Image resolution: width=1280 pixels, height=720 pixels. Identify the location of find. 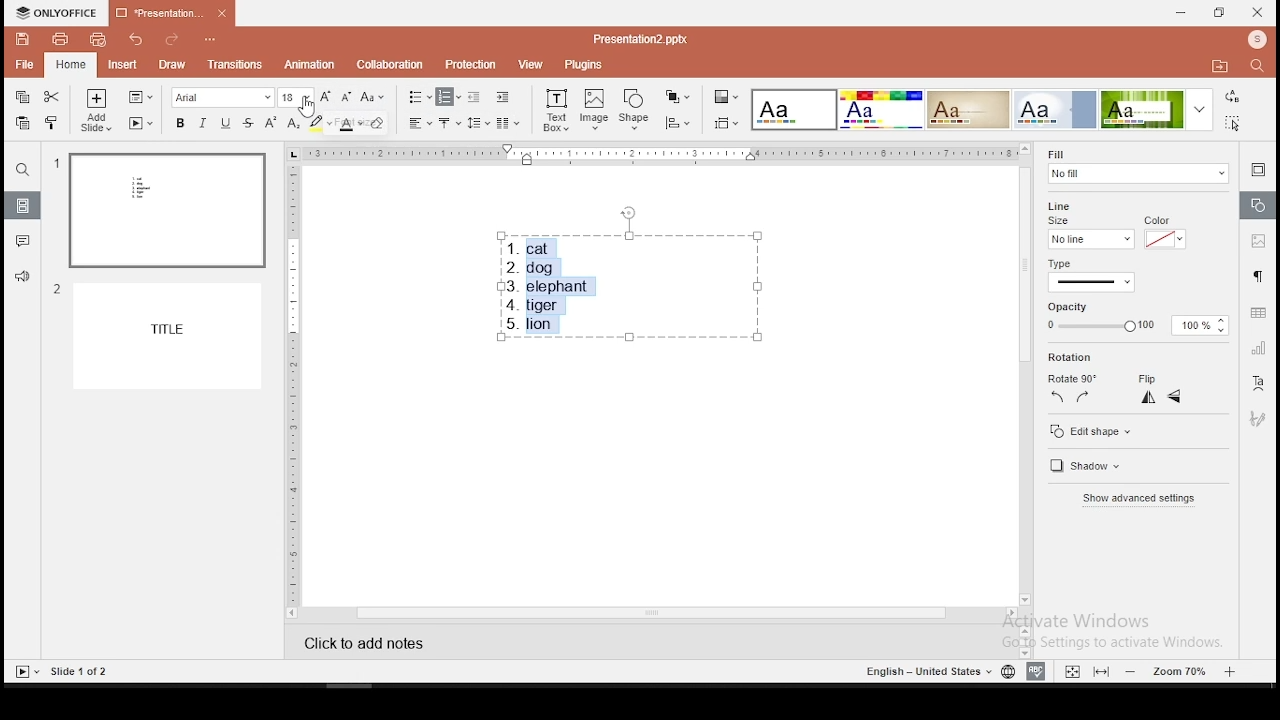
(1255, 65).